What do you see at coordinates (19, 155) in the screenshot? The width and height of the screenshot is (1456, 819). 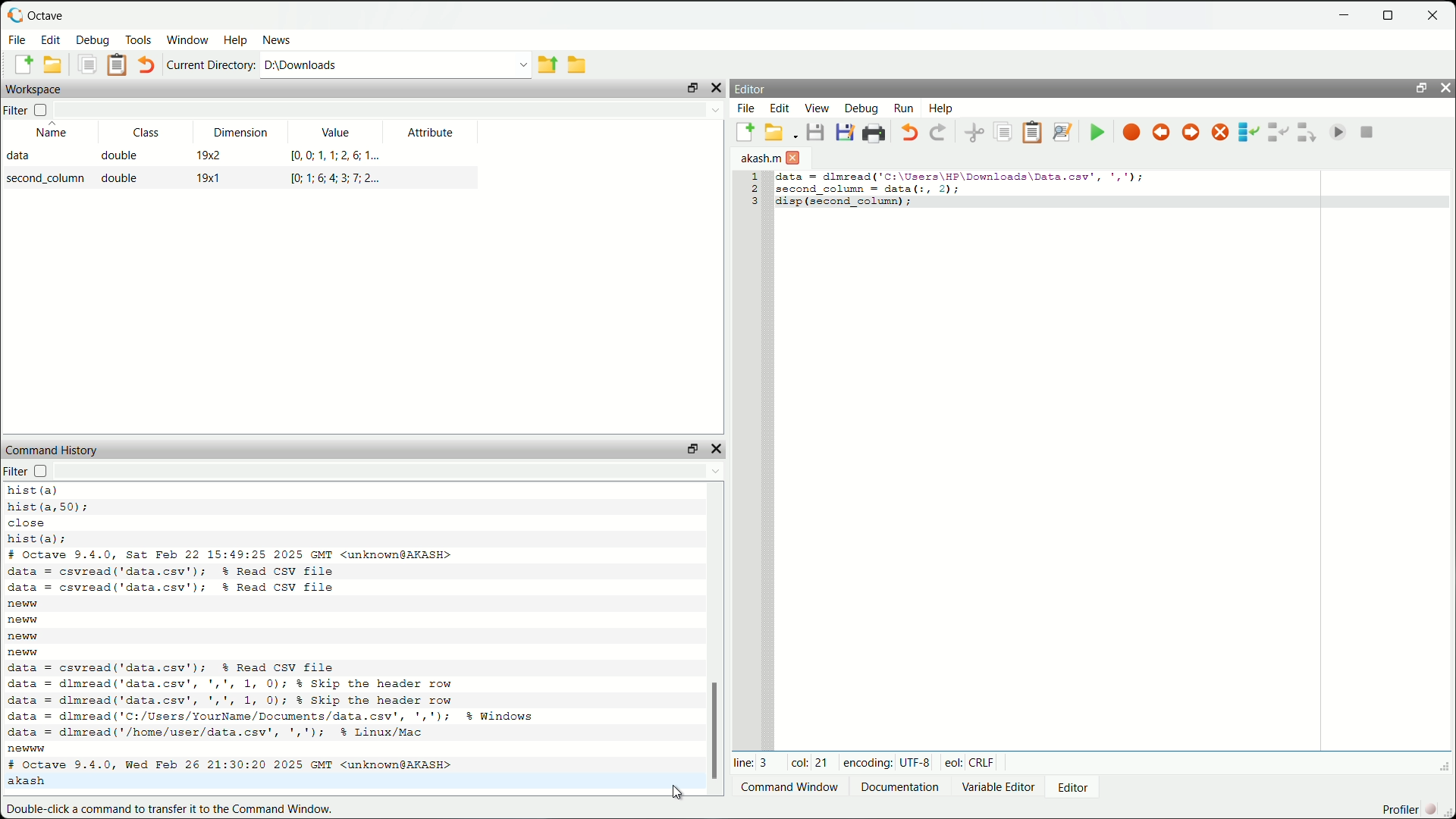 I see `data` at bounding box center [19, 155].